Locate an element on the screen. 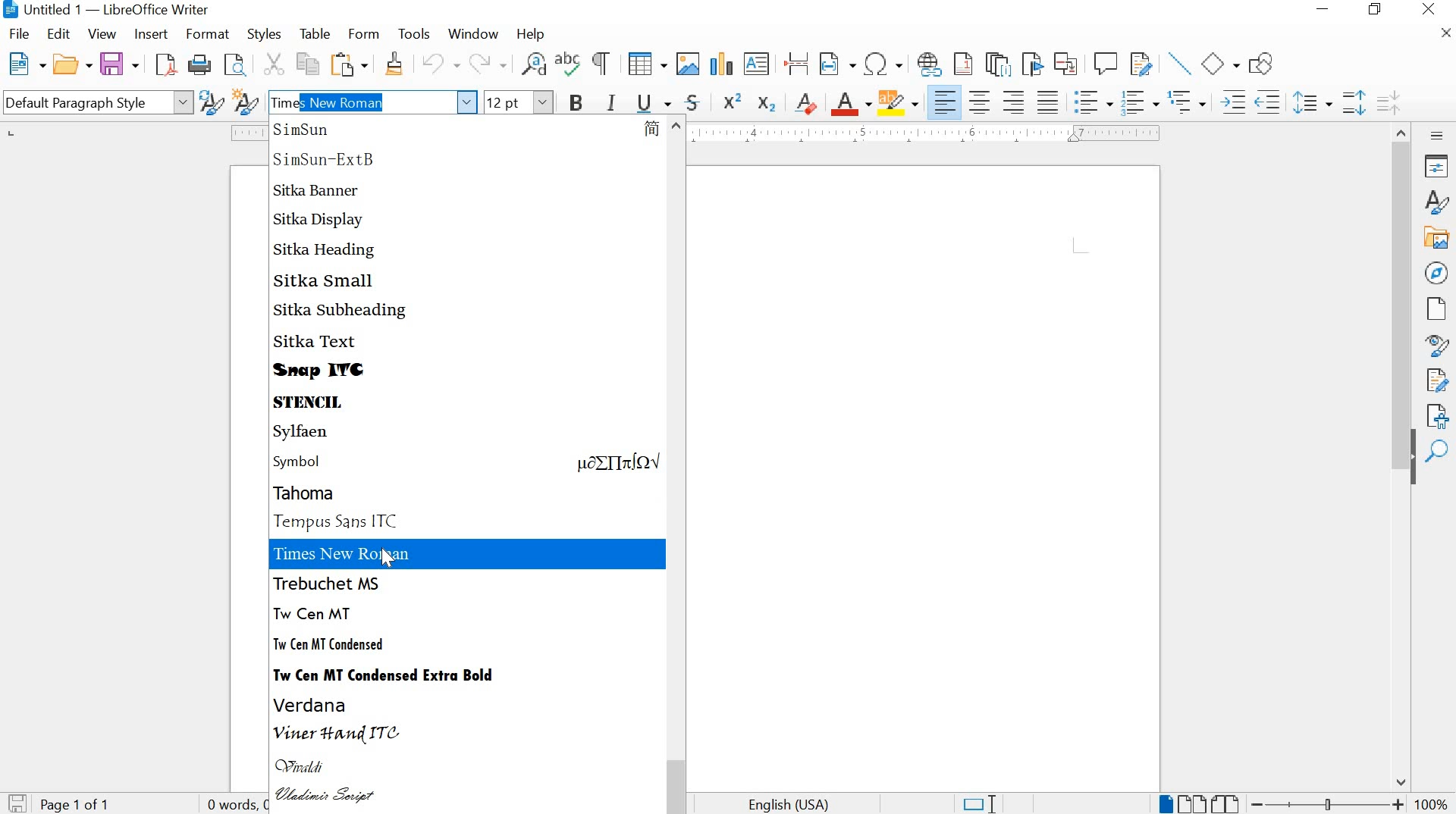 This screenshot has width=1456, height=814. TEMPUS SANS ITC is located at coordinates (343, 523).